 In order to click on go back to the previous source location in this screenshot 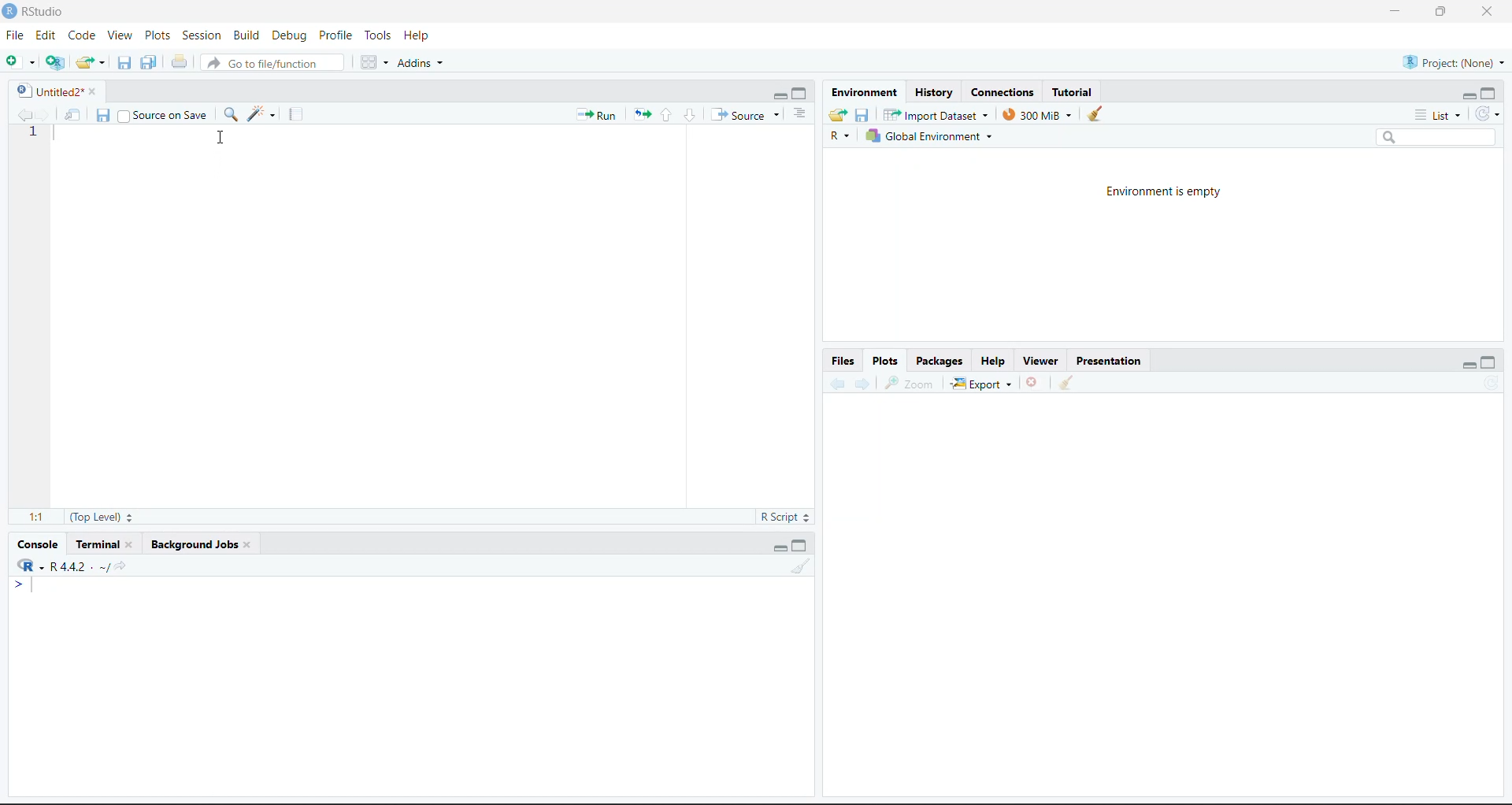, I will do `click(17, 113)`.